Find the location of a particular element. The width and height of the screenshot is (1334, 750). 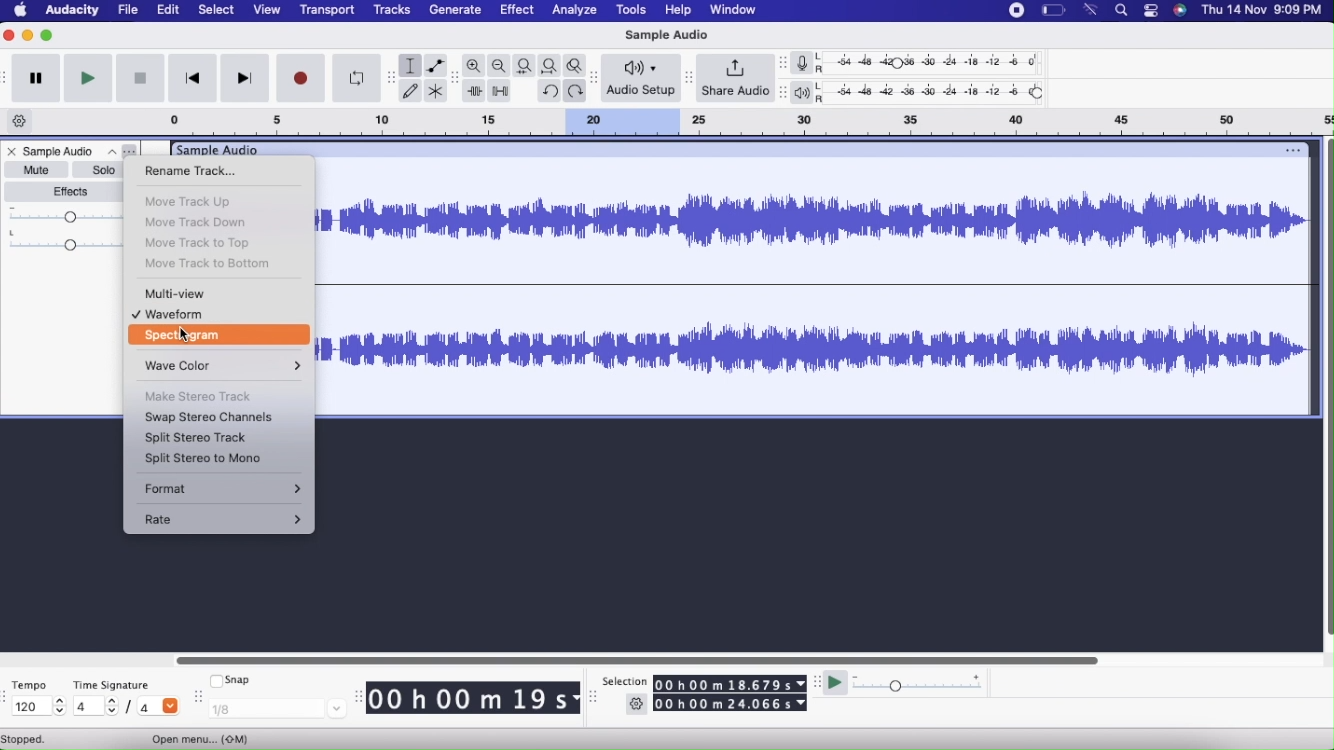

Edit is located at coordinates (170, 10).